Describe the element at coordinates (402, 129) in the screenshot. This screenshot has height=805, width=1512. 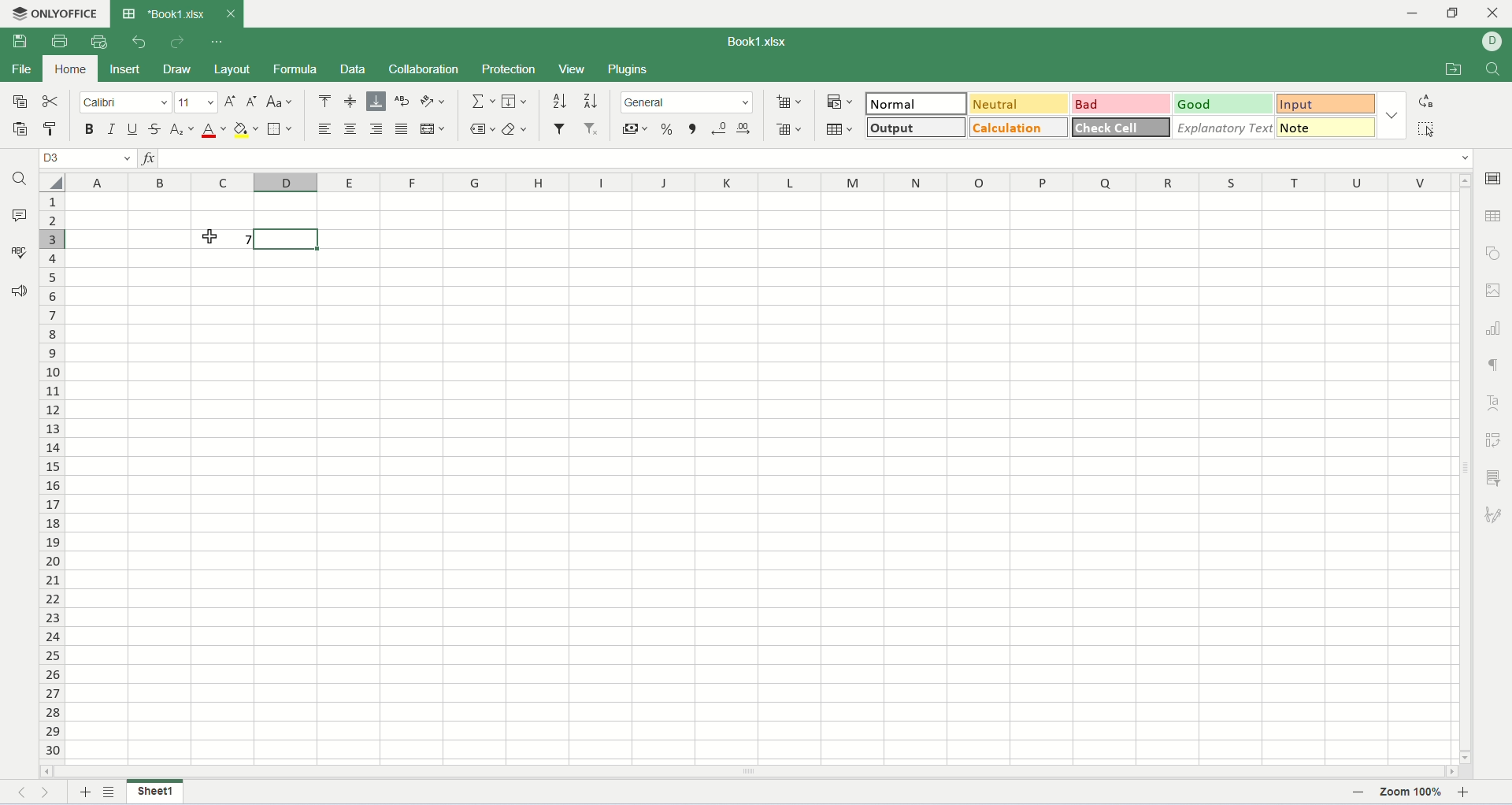
I see `justified` at that location.